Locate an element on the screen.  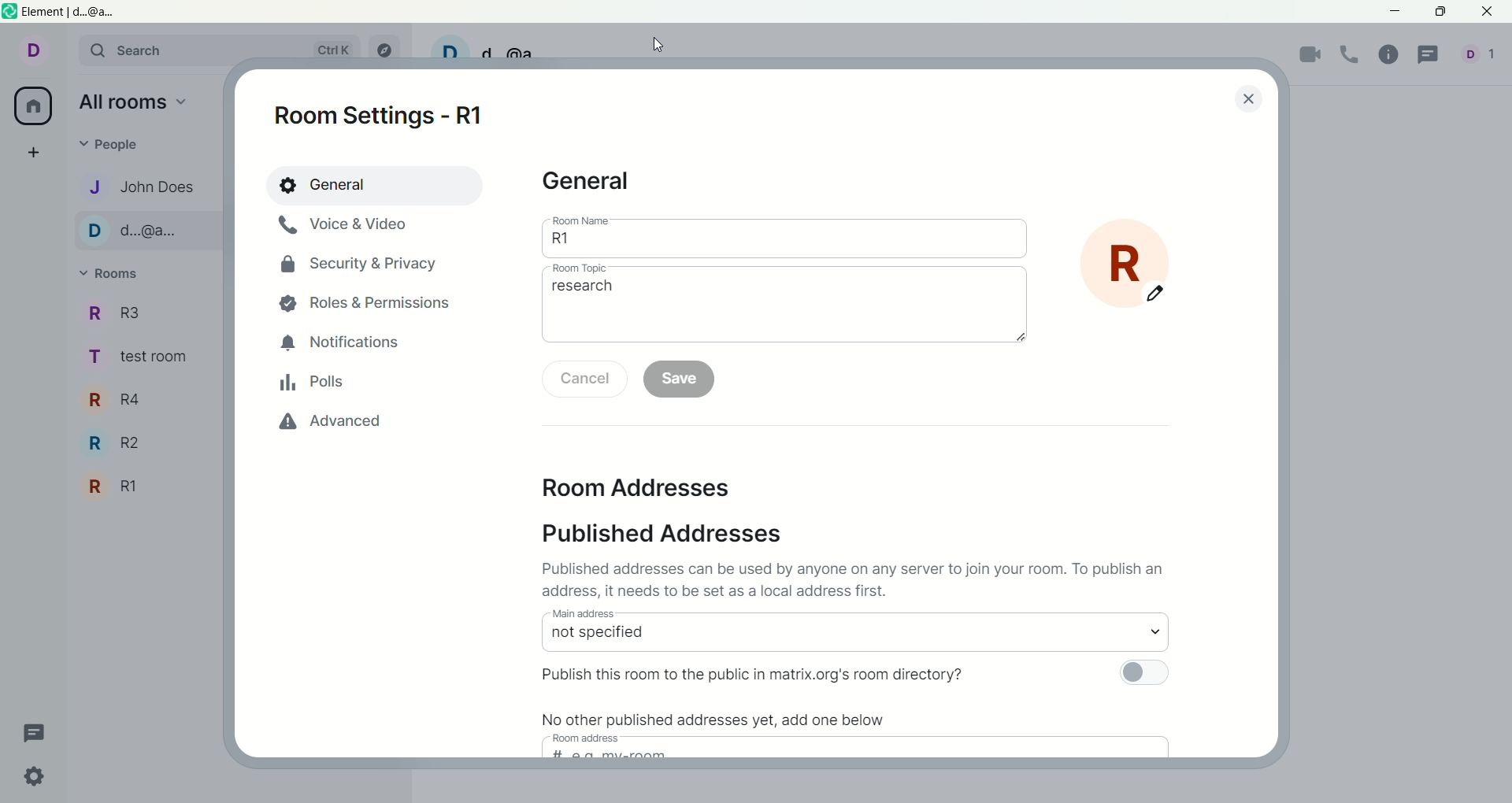
published addresses can be used by anyone on any server to join your room.to publish an address,it need to be set as local address first. is located at coordinates (862, 578).